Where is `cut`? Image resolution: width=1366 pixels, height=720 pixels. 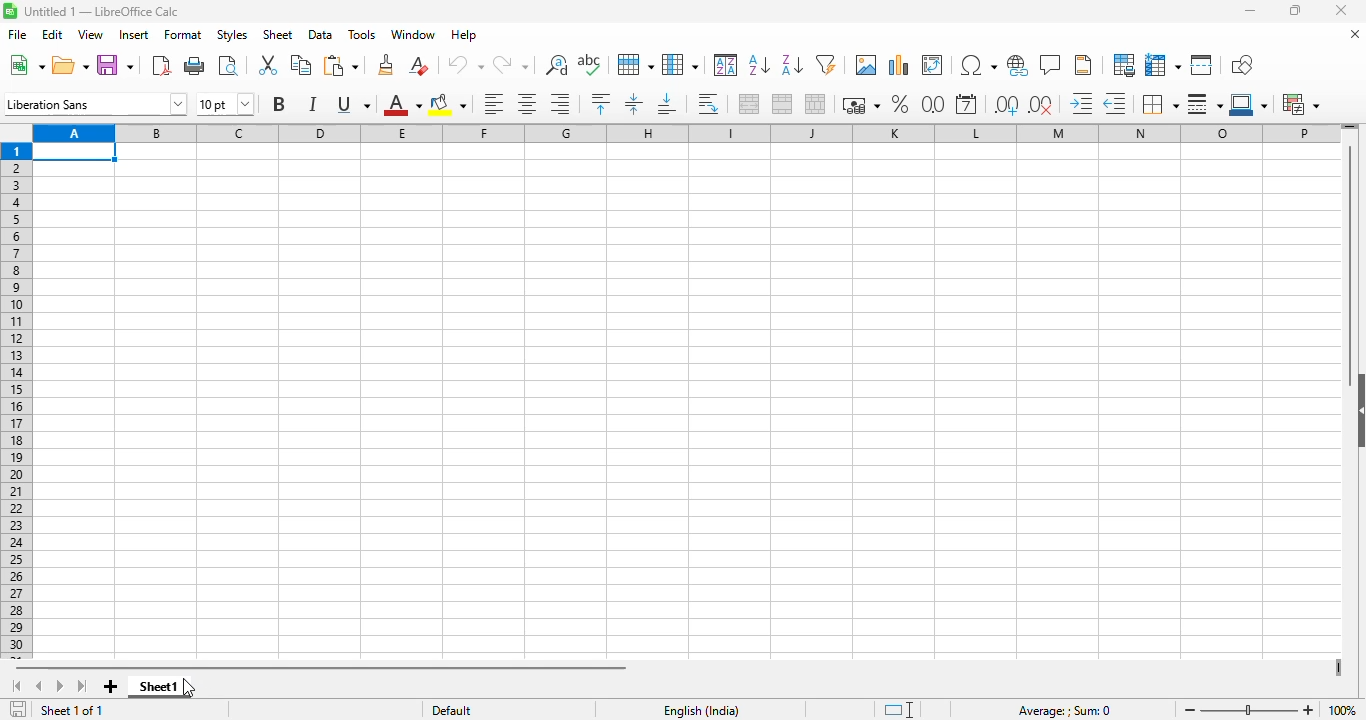
cut is located at coordinates (266, 65).